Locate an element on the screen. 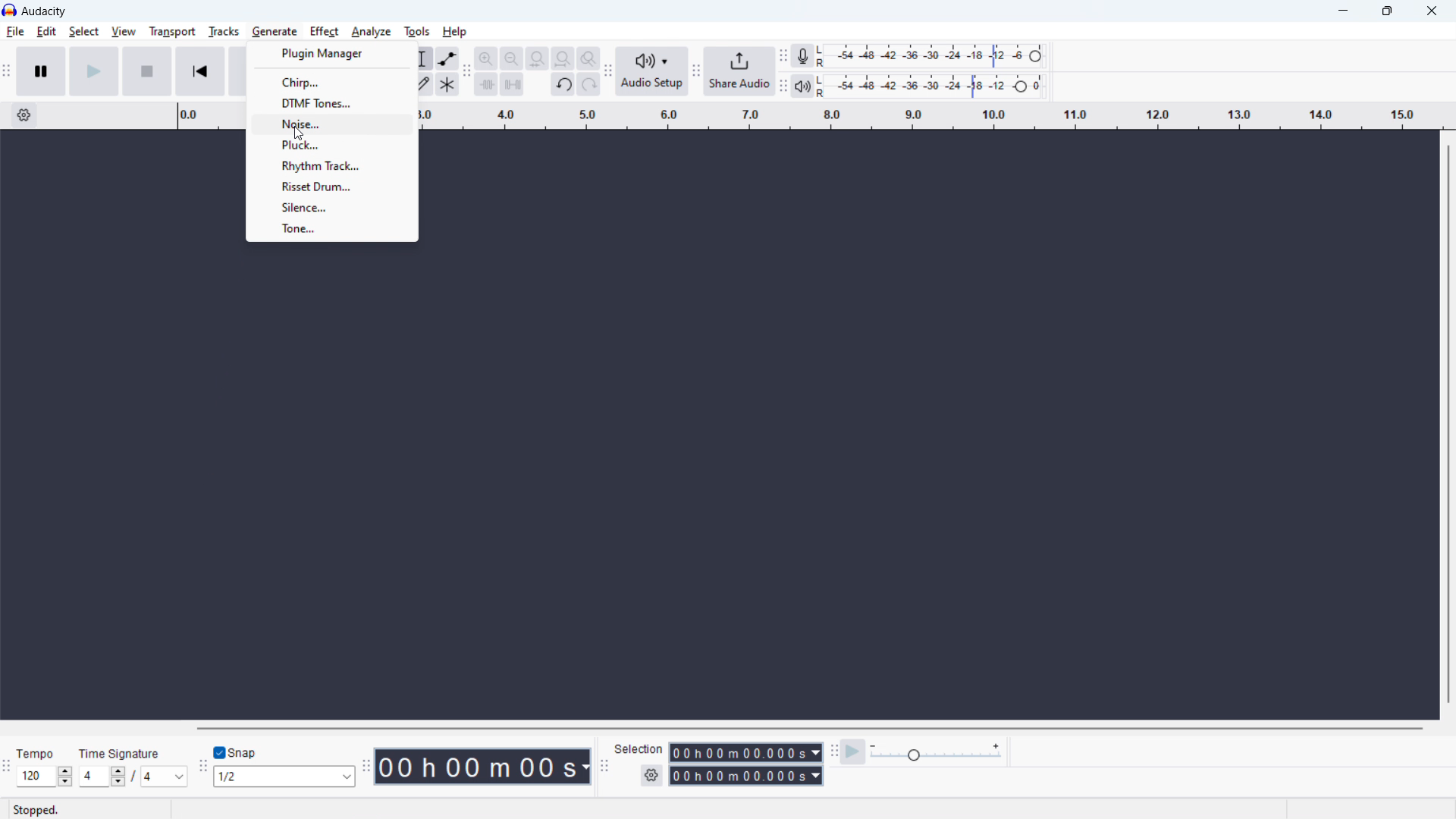 This screenshot has width=1456, height=819. time signature toolbar is located at coordinates (8, 768).